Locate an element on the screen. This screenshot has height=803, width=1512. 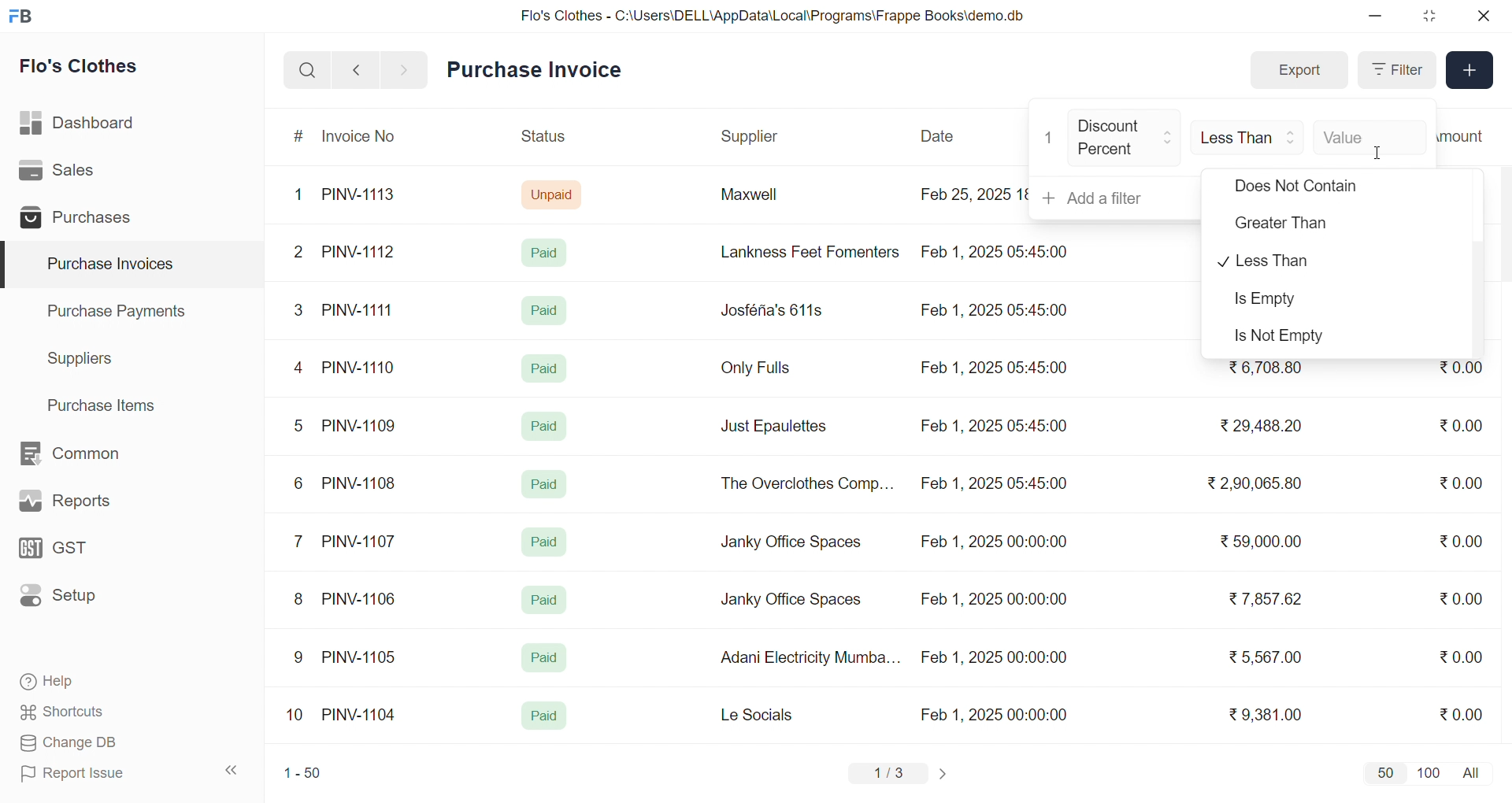
Feb 25, 2025 18:16:25 is located at coordinates (972, 194).